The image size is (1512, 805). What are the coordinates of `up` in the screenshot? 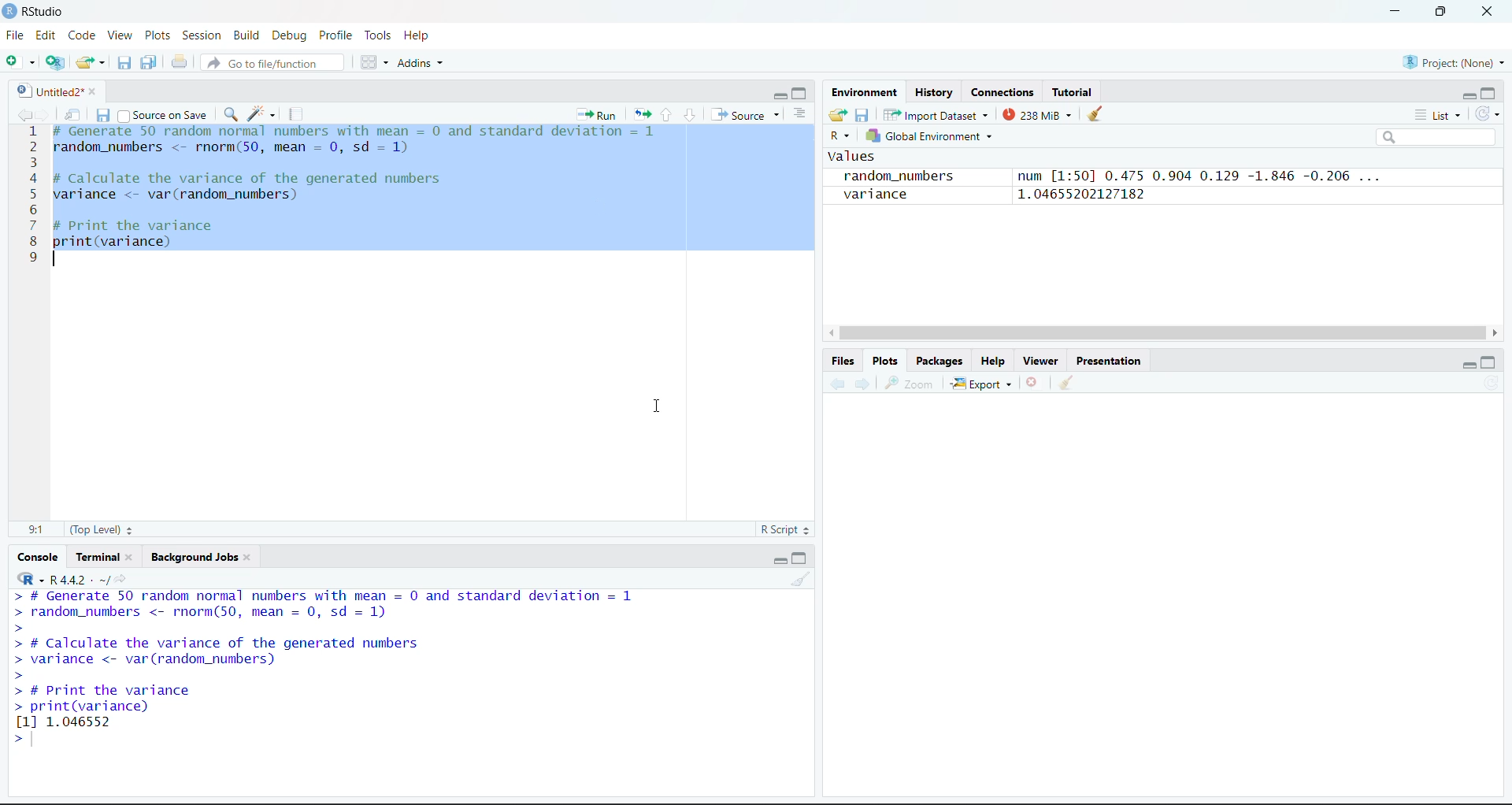 It's located at (666, 115).